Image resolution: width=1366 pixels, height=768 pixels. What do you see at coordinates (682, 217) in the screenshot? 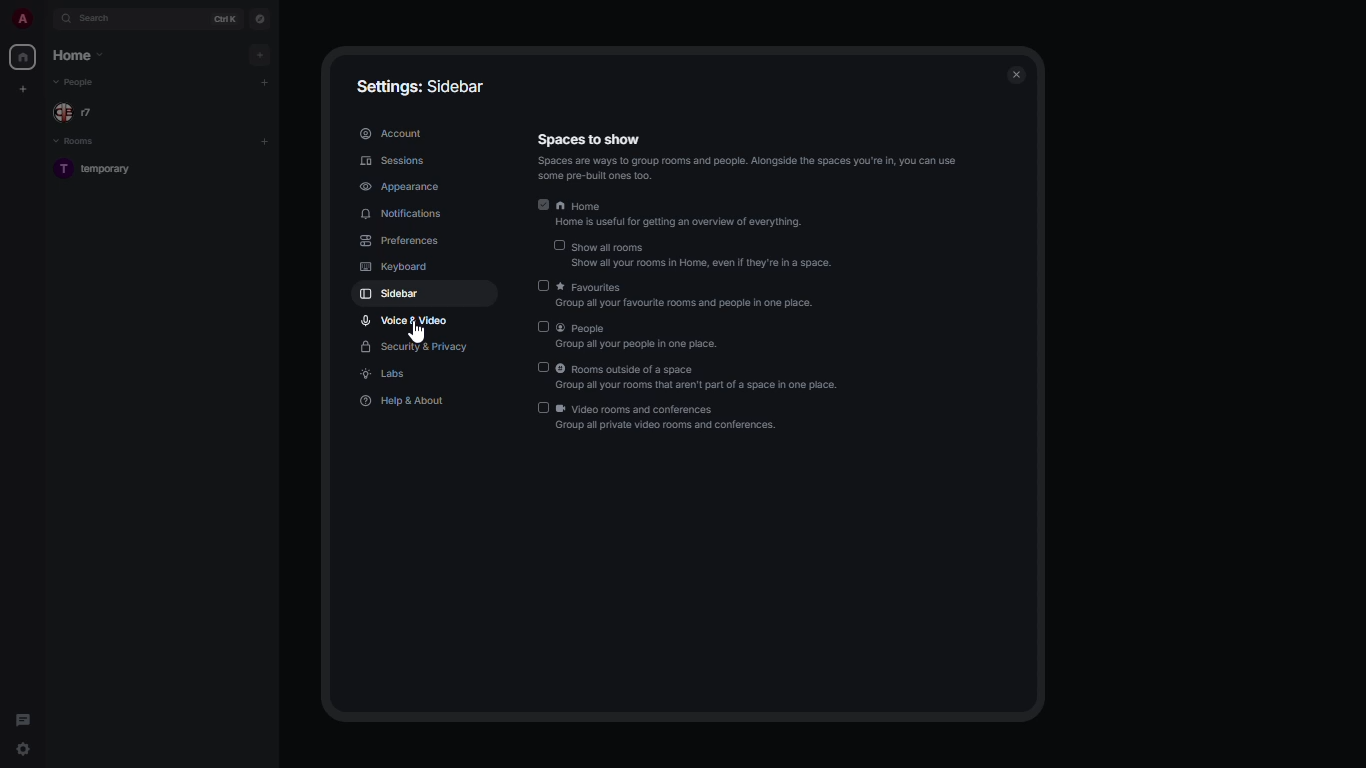
I see `home` at bounding box center [682, 217].